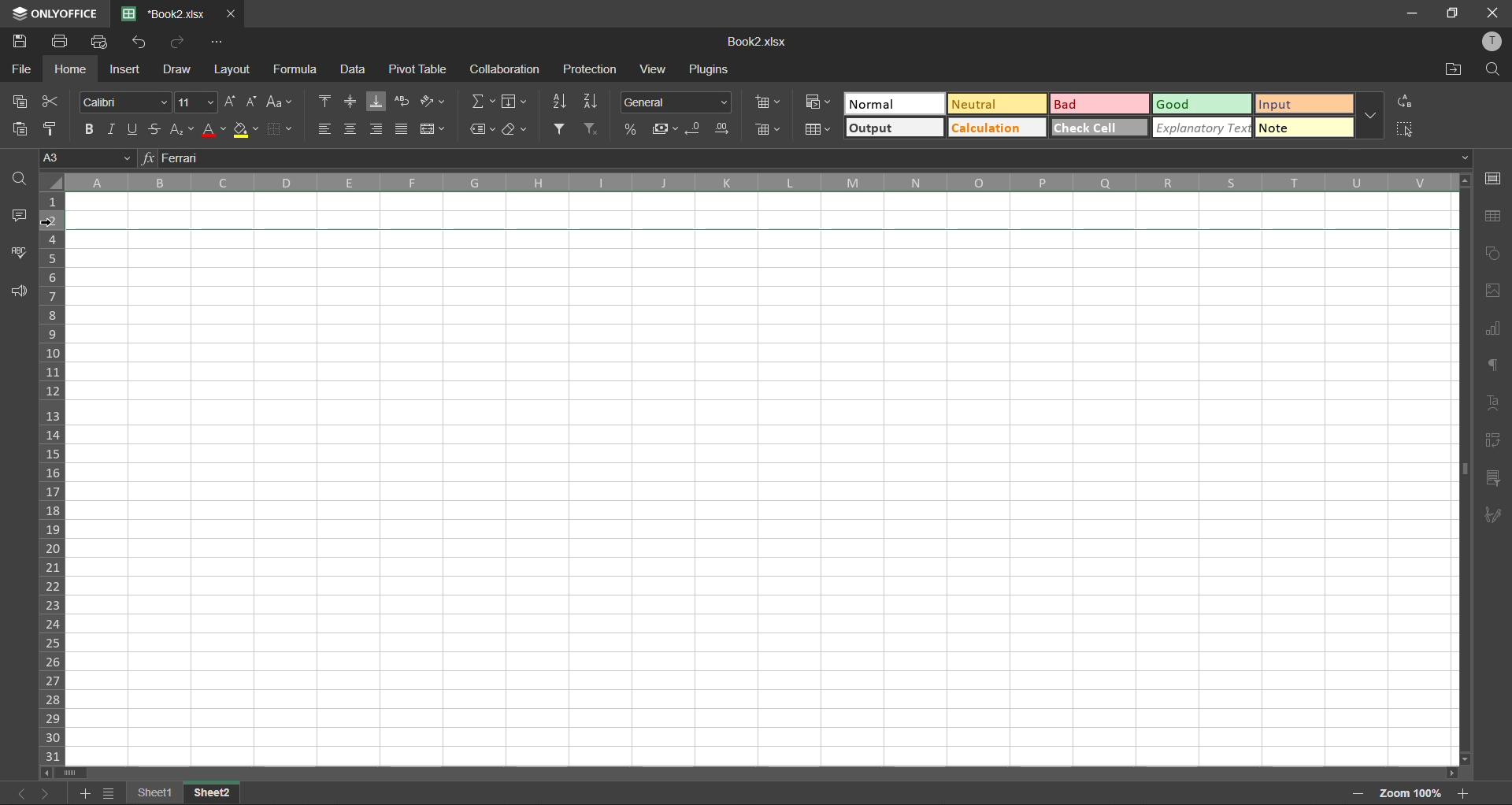 The width and height of the screenshot is (1512, 805). What do you see at coordinates (1413, 14) in the screenshot?
I see `minimize` at bounding box center [1413, 14].